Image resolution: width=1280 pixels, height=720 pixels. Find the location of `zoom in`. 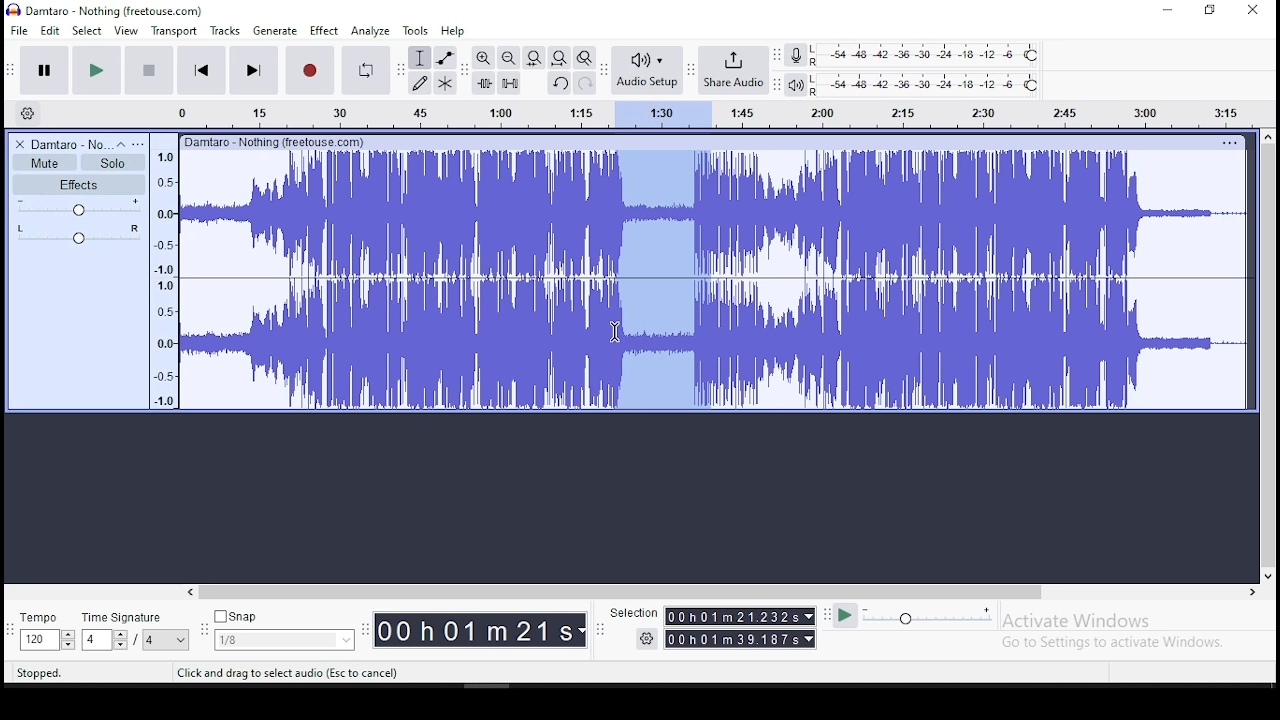

zoom in is located at coordinates (484, 57).